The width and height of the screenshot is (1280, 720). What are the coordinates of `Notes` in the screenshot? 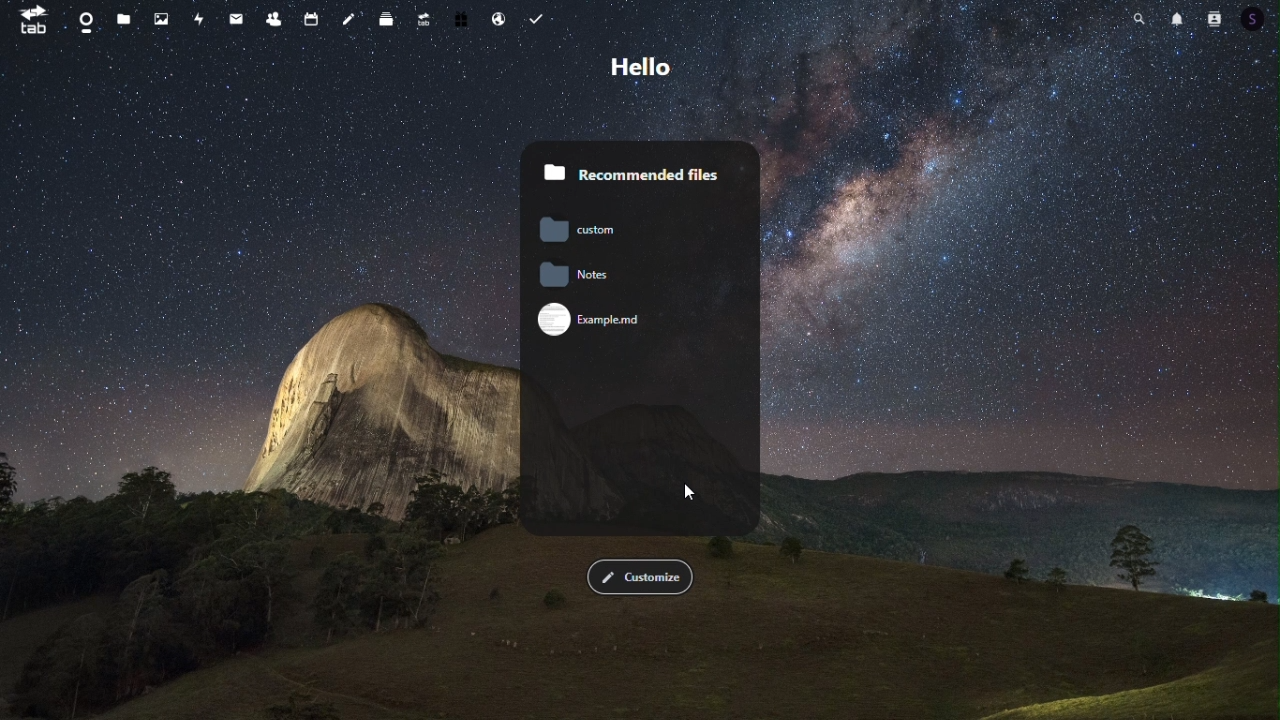 It's located at (618, 276).